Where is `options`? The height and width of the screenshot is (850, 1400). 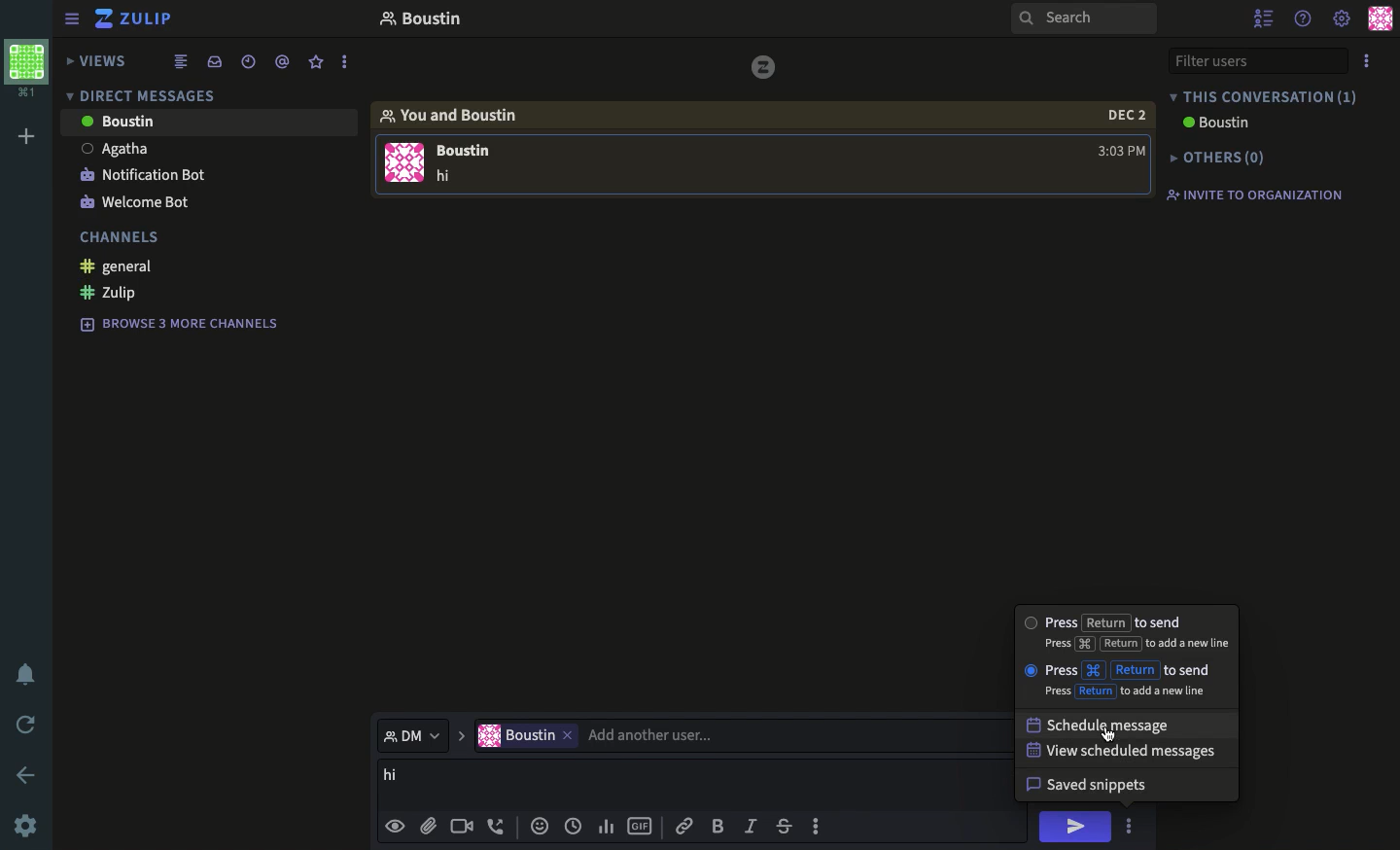
options is located at coordinates (1367, 61).